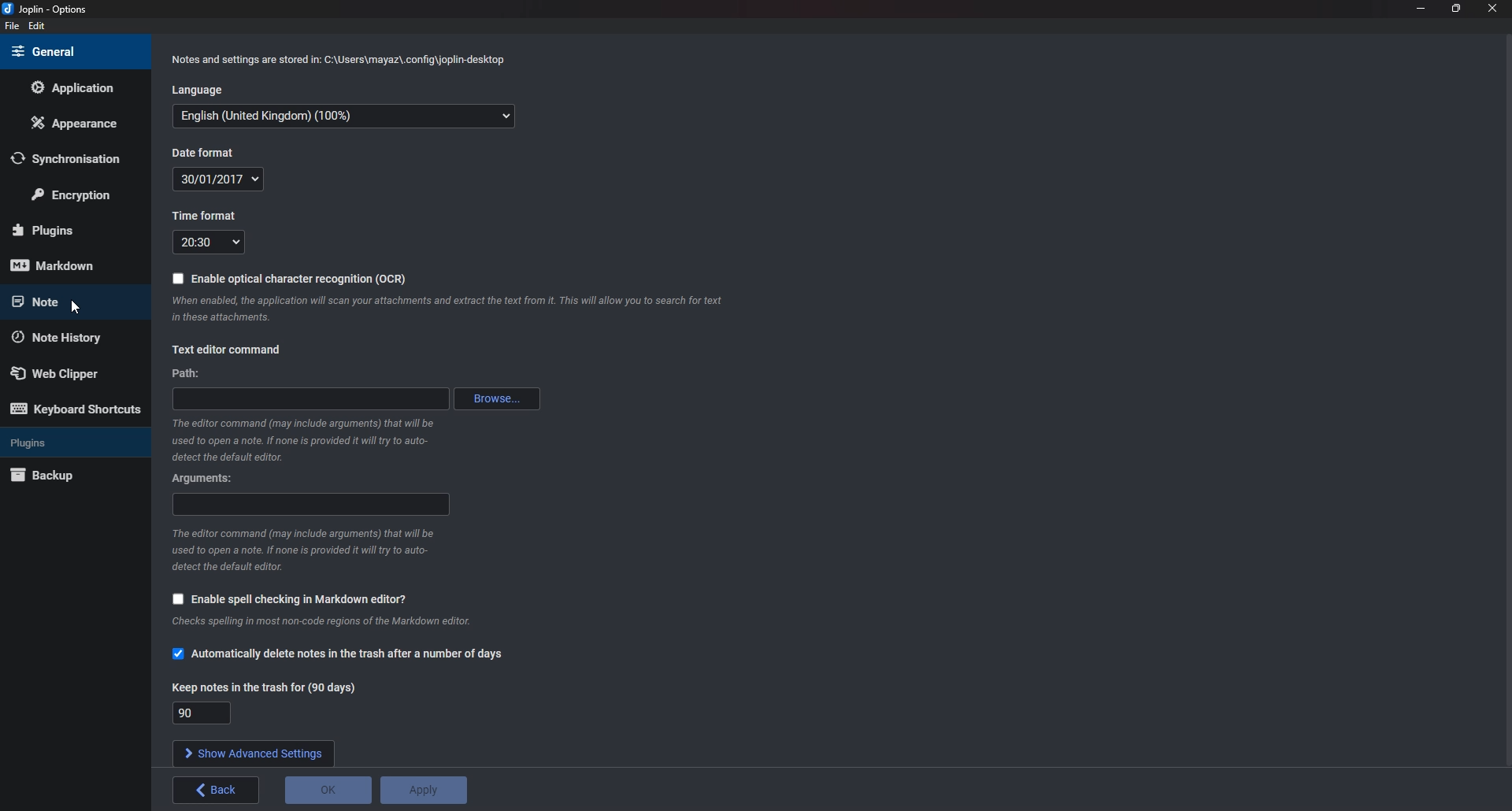  Describe the element at coordinates (346, 115) in the screenshot. I see `Language` at that location.